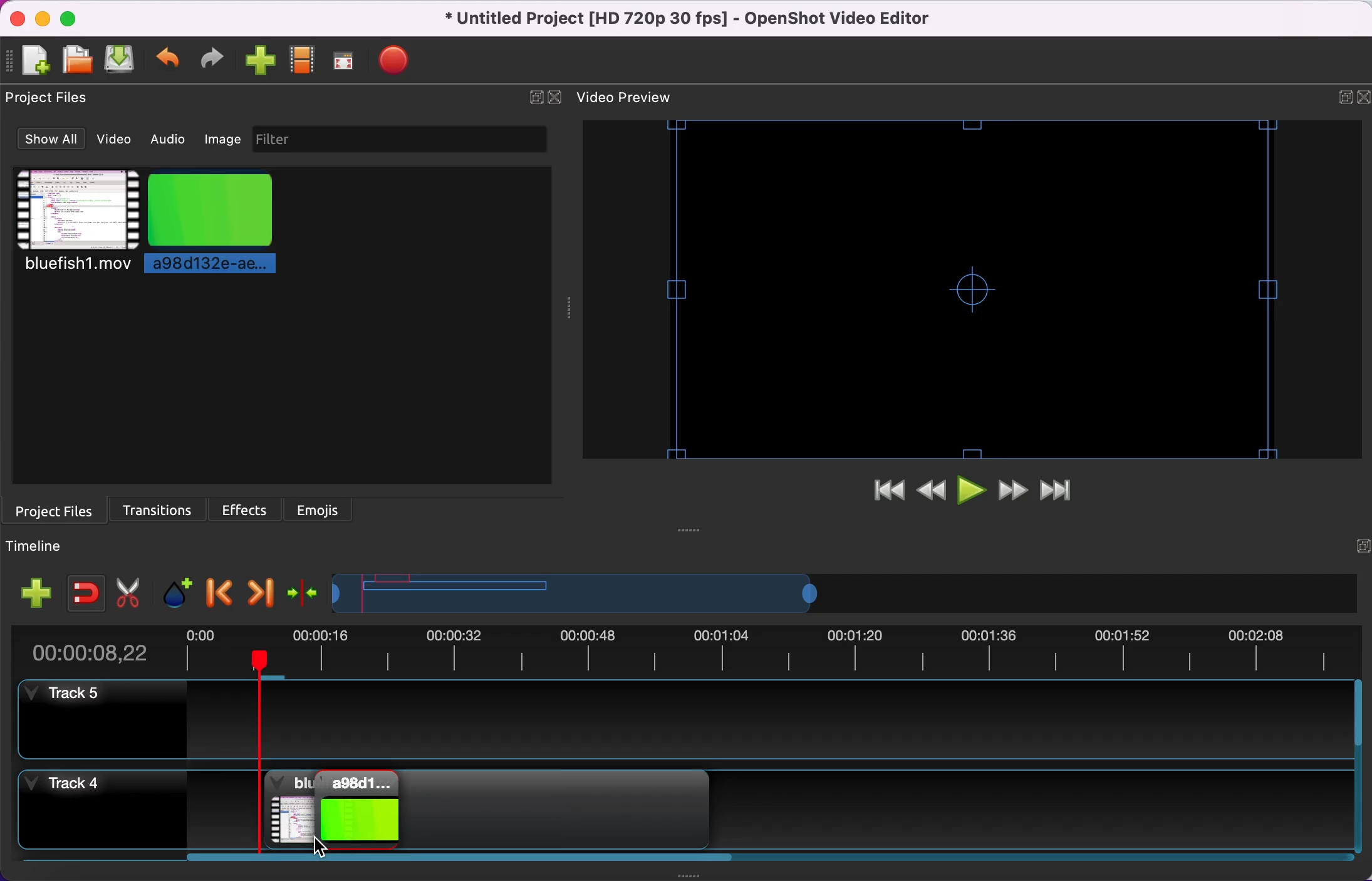  I want to click on fullscreen, so click(346, 61).